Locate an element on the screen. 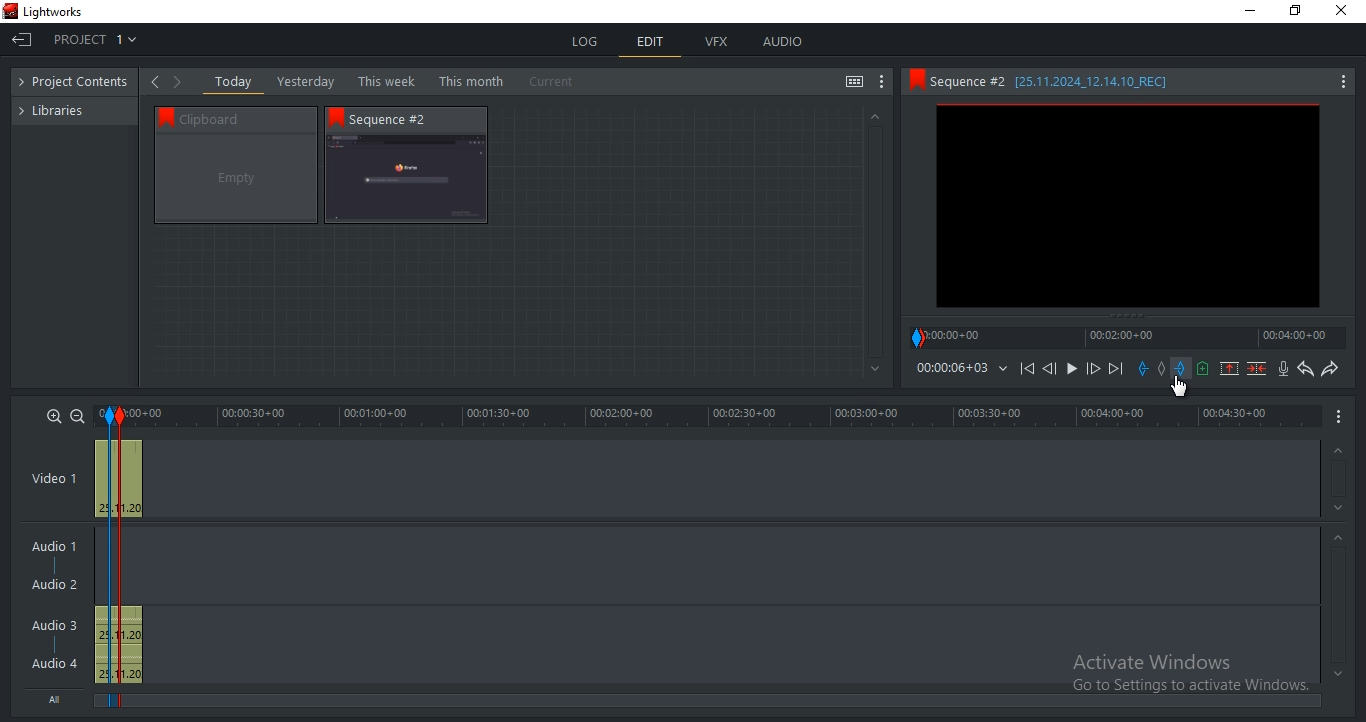 The height and width of the screenshot is (722, 1366). Sequence 2 details is located at coordinates (1068, 81).